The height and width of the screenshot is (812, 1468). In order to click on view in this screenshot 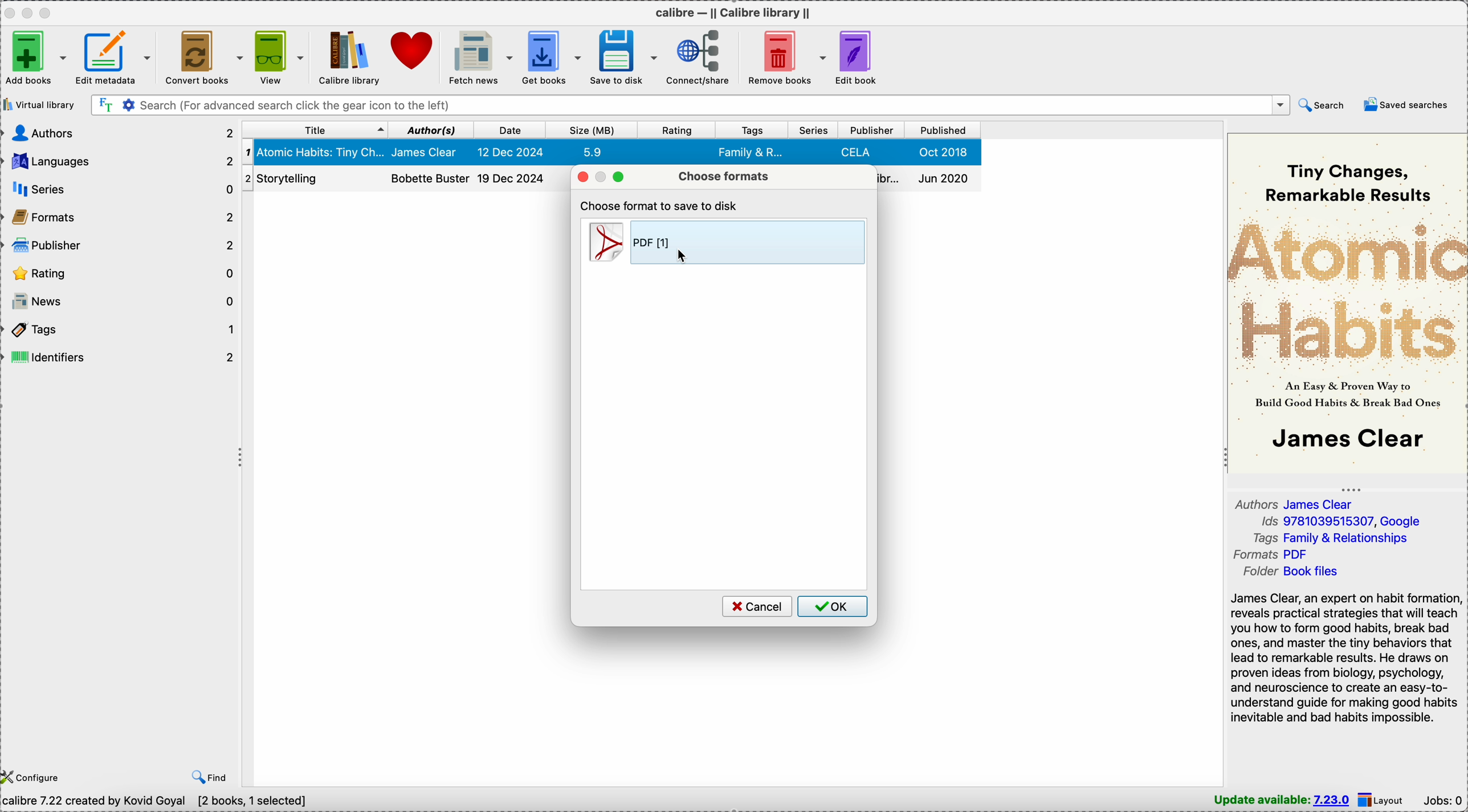, I will do `click(278, 56)`.